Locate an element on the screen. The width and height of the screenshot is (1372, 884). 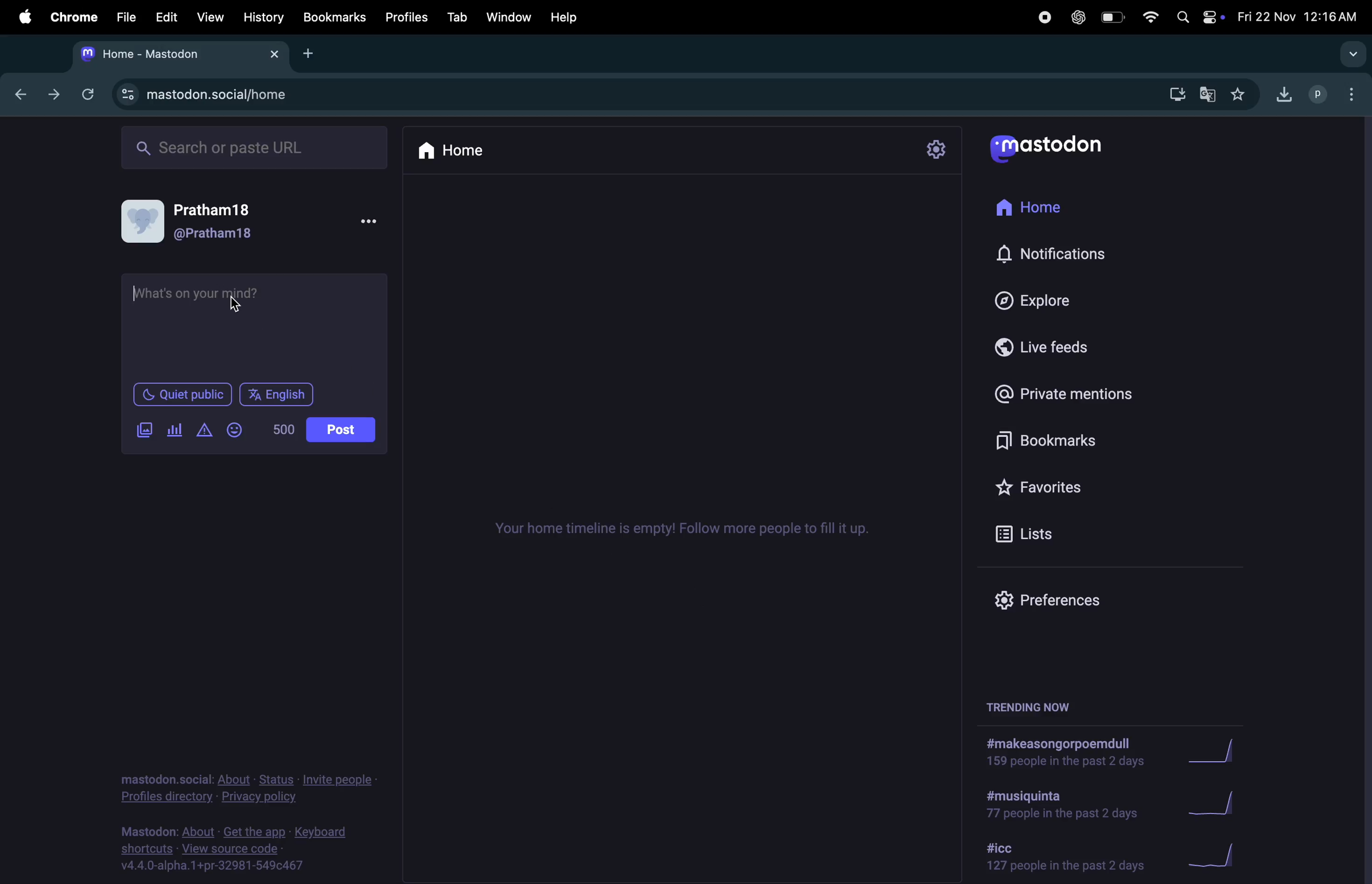
options is located at coordinates (1349, 94).